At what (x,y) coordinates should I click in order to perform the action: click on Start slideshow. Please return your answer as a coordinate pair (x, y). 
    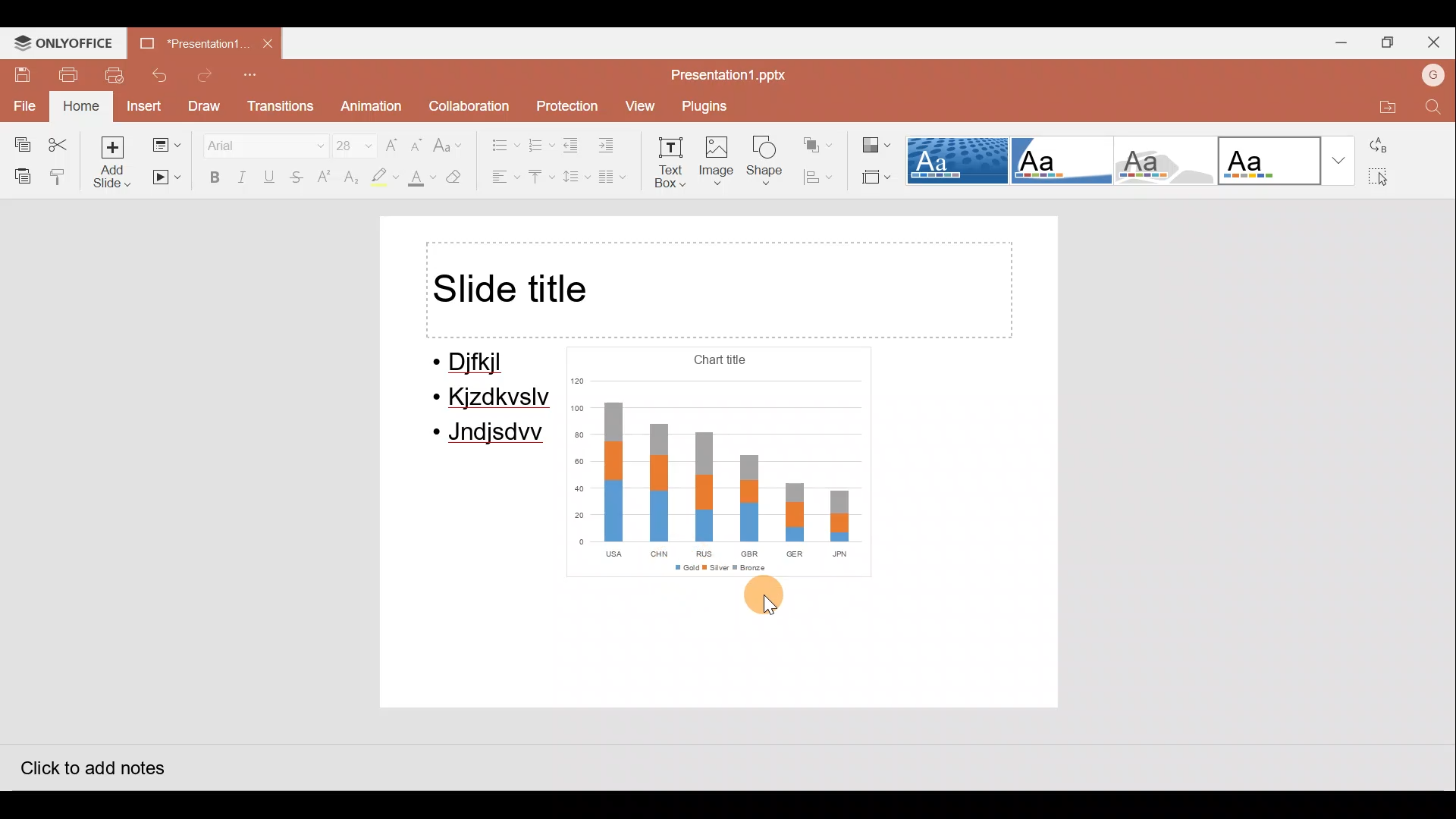
    Looking at the image, I should click on (167, 178).